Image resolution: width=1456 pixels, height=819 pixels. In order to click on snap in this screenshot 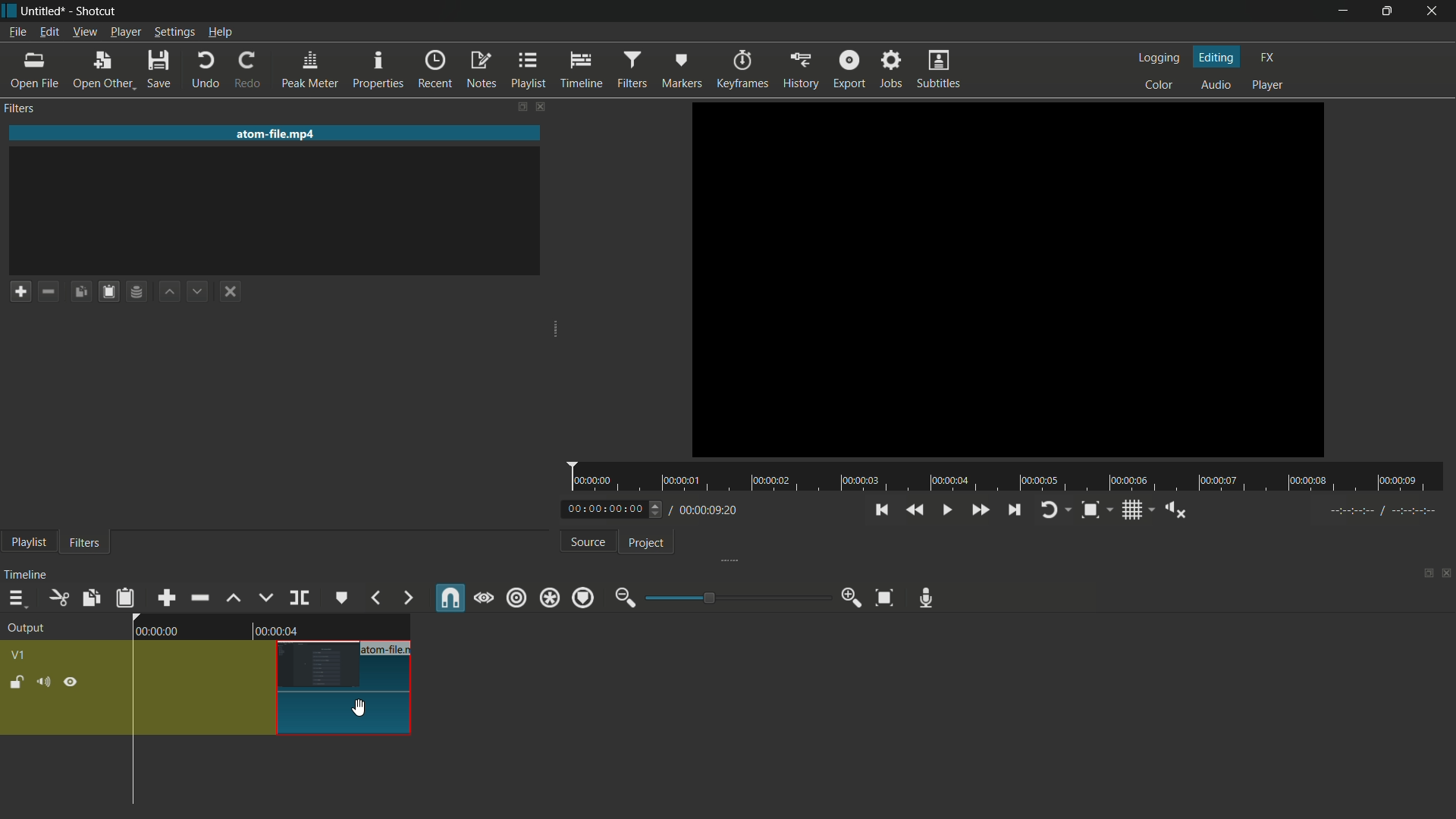, I will do `click(448, 597)`.